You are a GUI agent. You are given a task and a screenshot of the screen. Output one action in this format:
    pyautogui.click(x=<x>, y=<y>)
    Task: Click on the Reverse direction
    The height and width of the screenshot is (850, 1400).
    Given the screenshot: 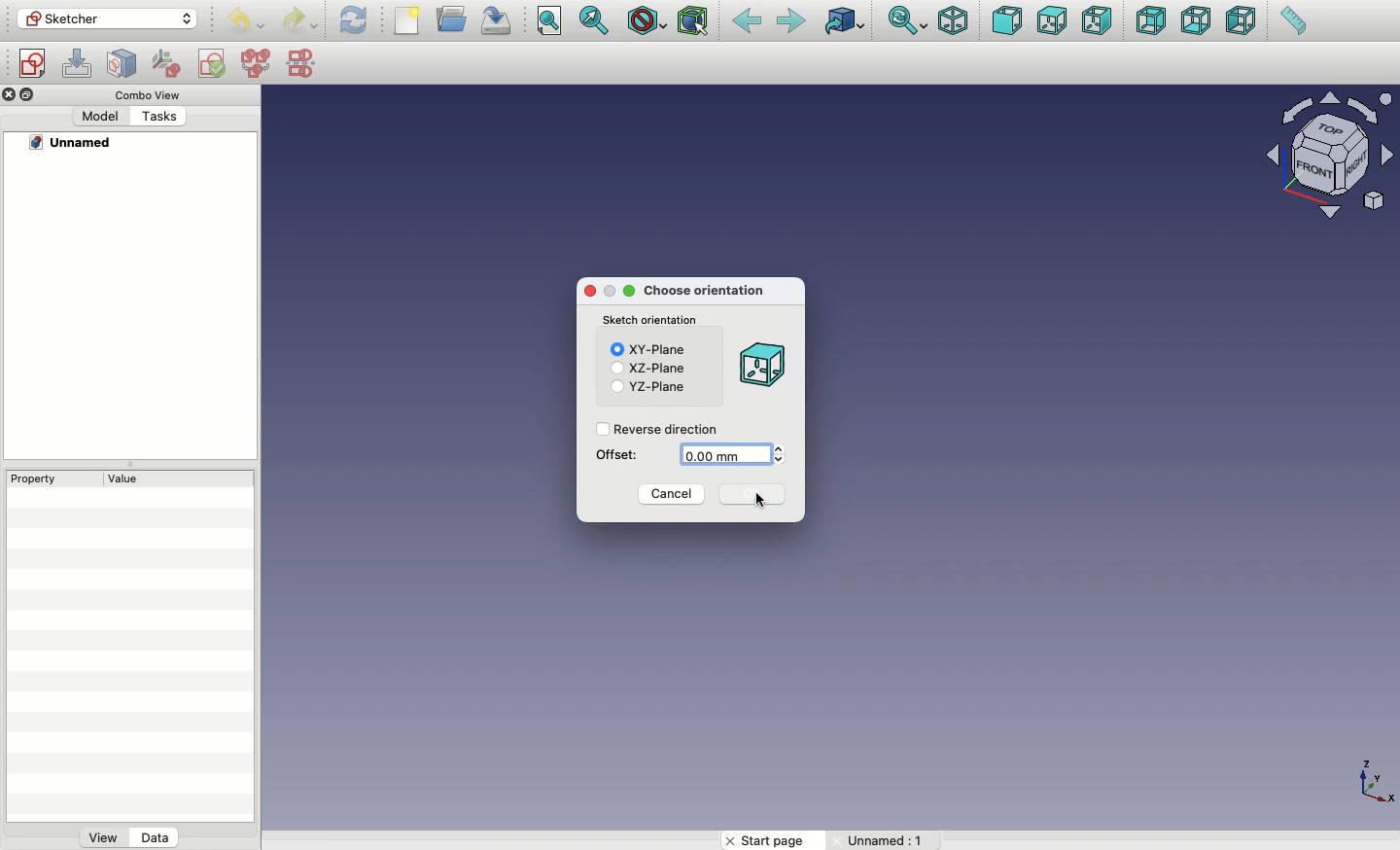 What is the action you would take?
    pyautogui.click(x=660, y=429)
    